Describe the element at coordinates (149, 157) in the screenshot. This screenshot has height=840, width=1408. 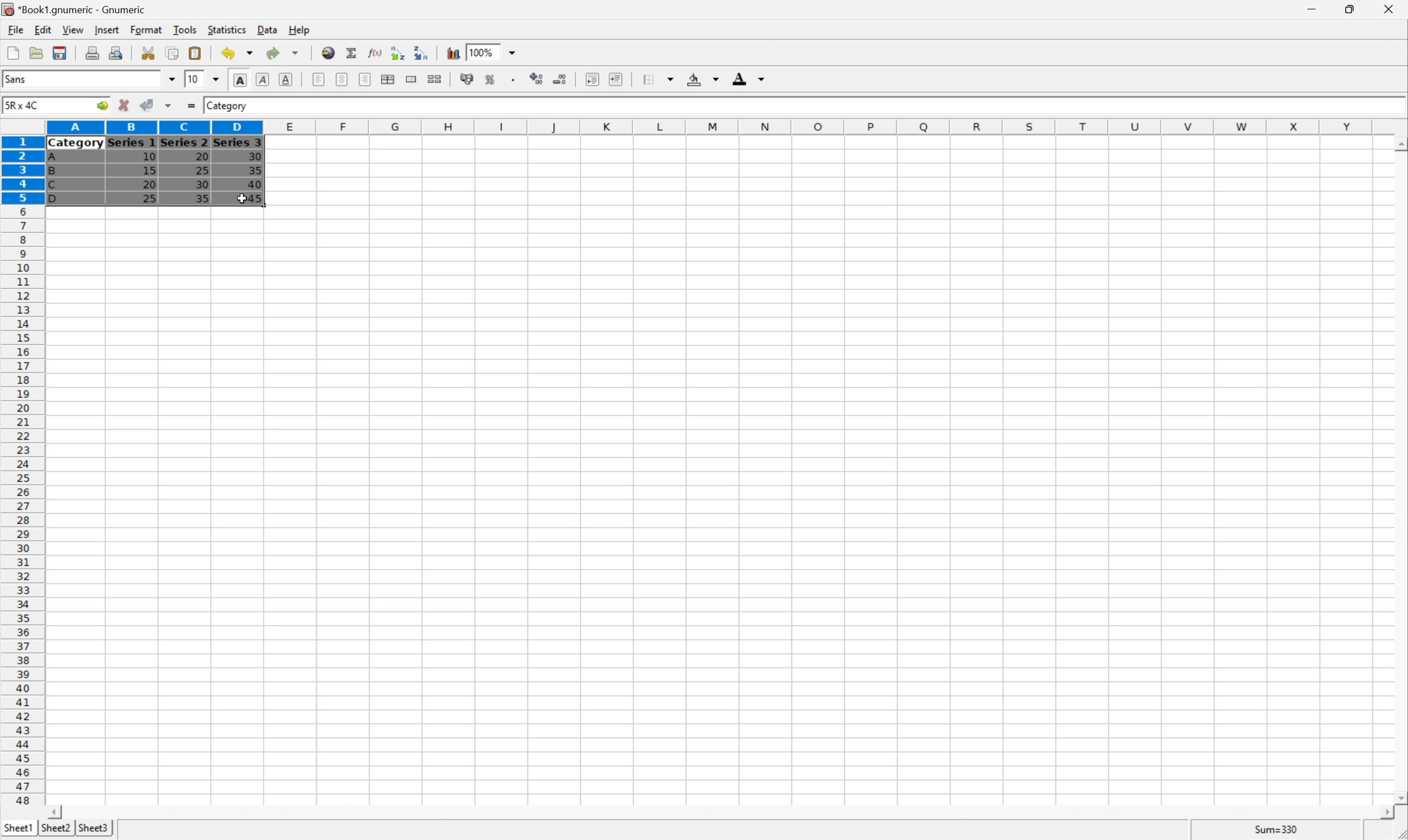
I see `10` at that location.